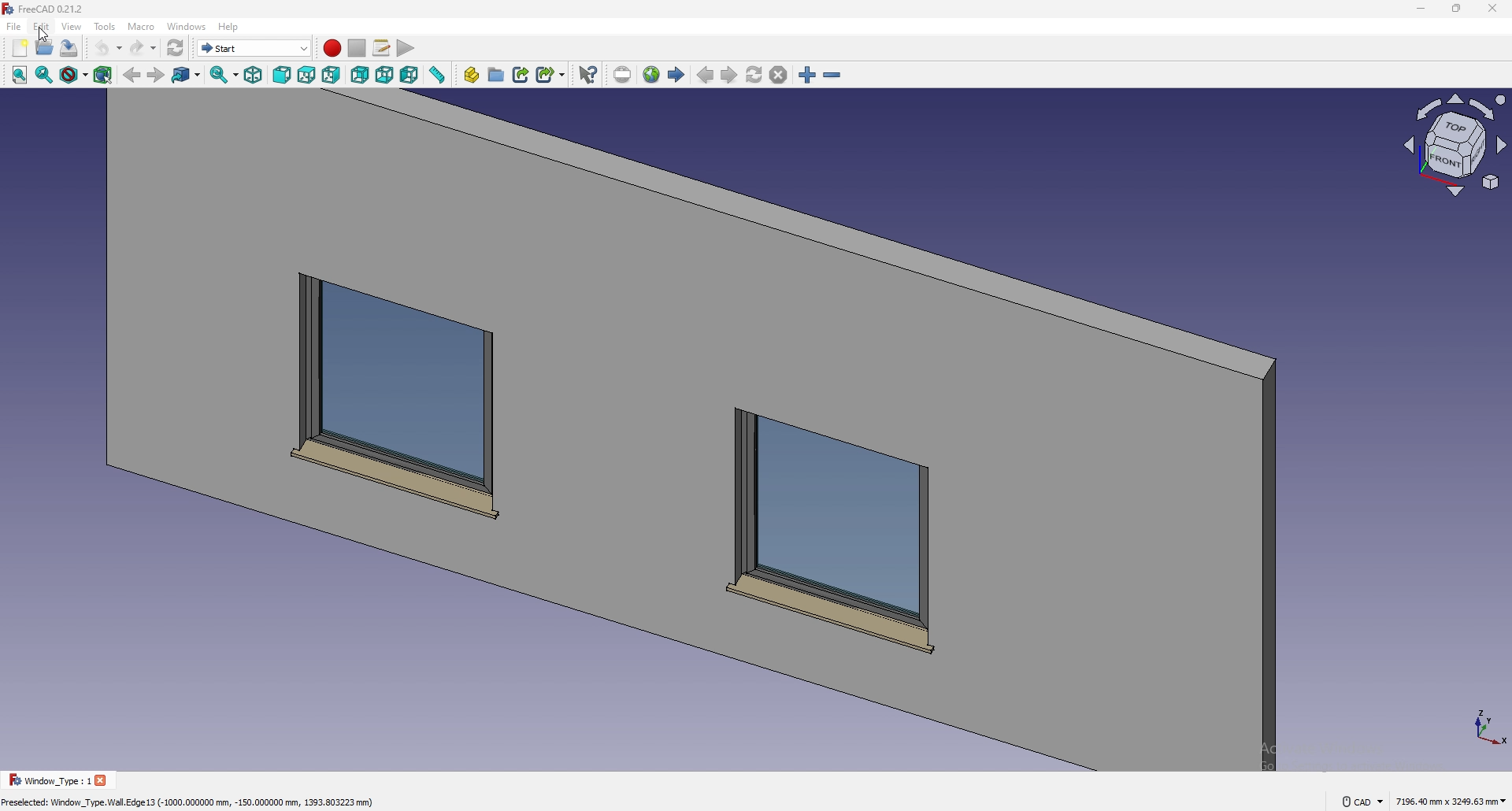  Describe the element at coordinates (472, 75) in the screenshot. I see `create part` at that location.